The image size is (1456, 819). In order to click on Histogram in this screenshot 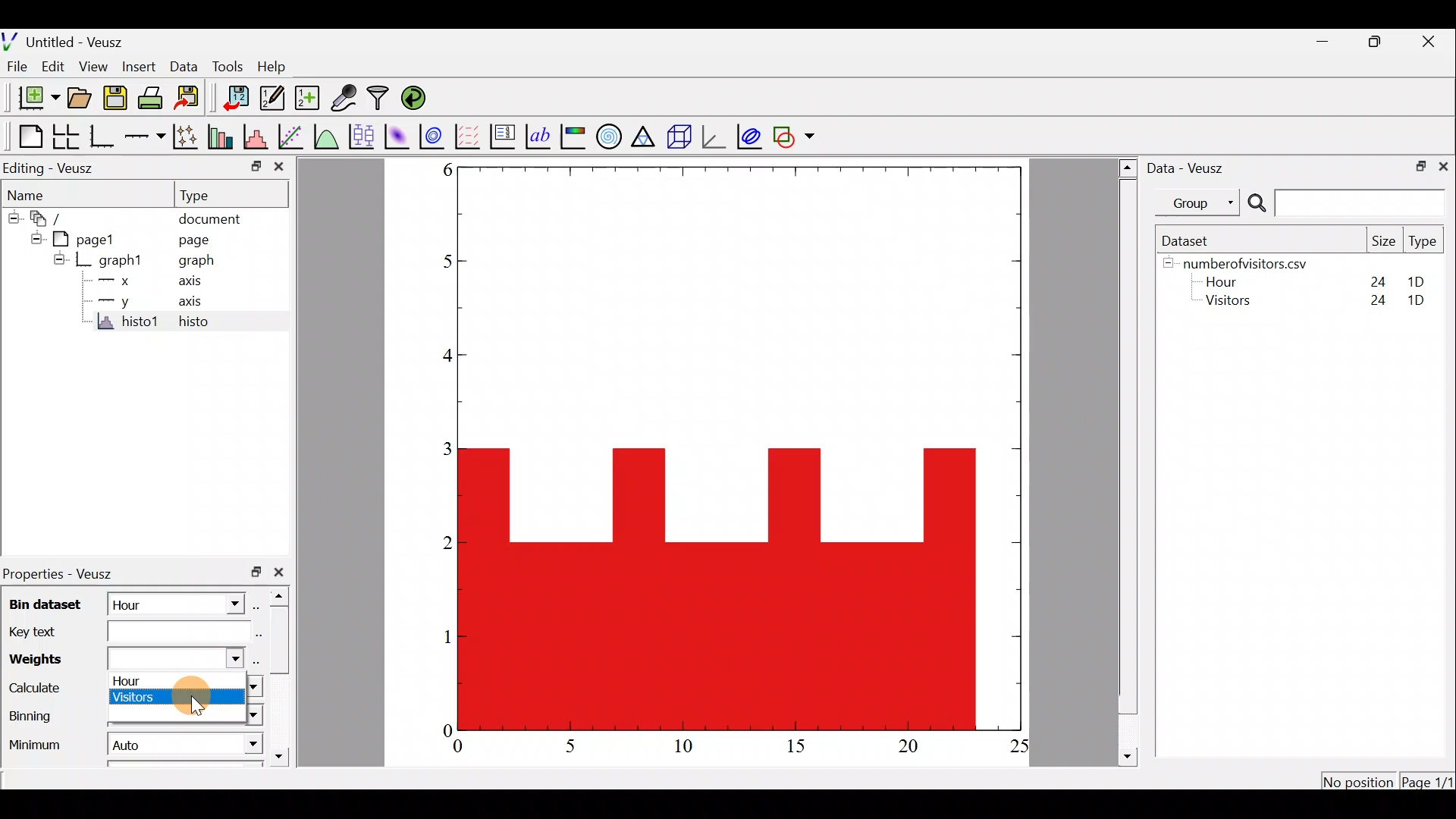, I will do `click(733, 542)`.